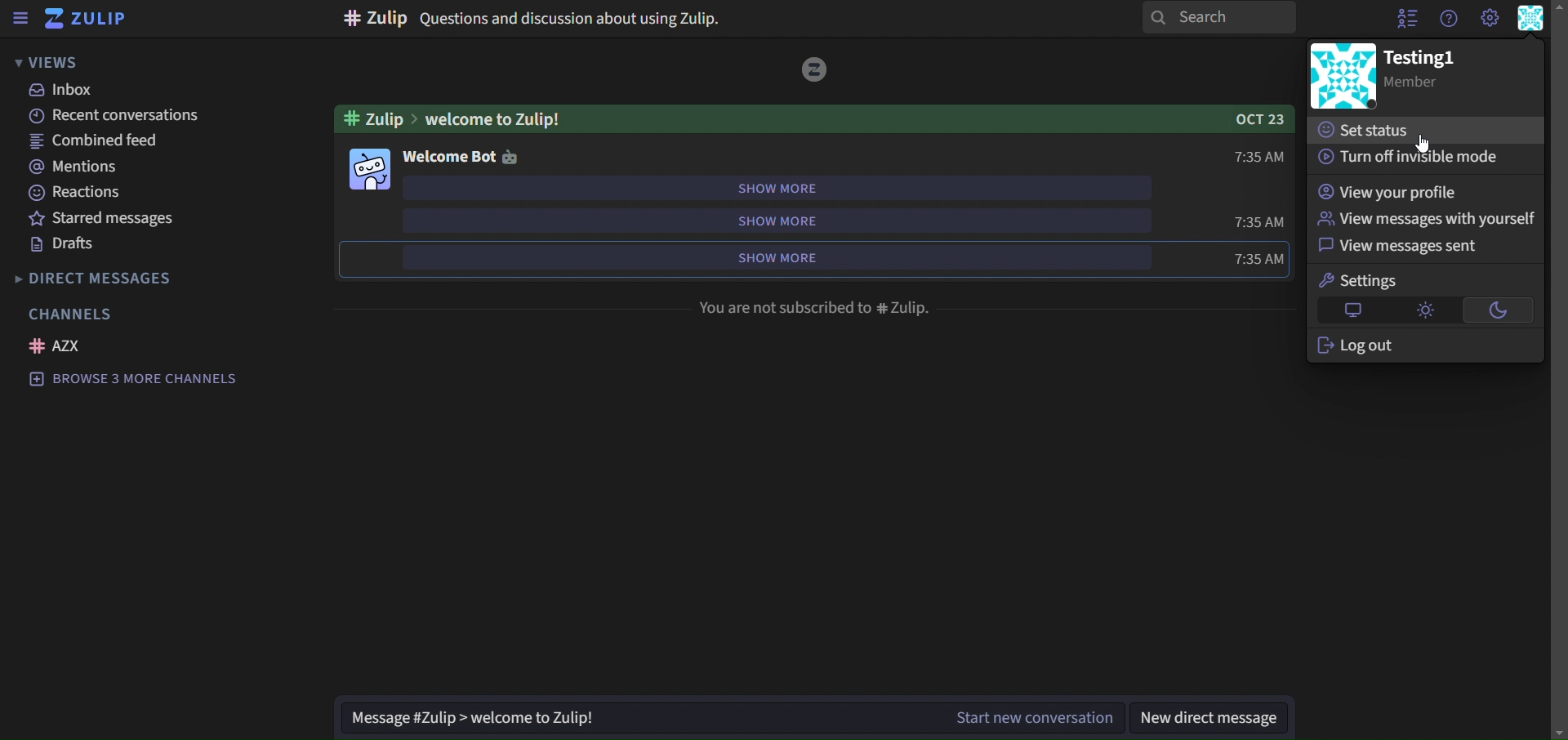 The width and height of the screenshot is (1568, 740). What do you see at coordinates (1530, 19) in the screenshot?
I see `perssonal menu` at bounding box center [1530, 19].